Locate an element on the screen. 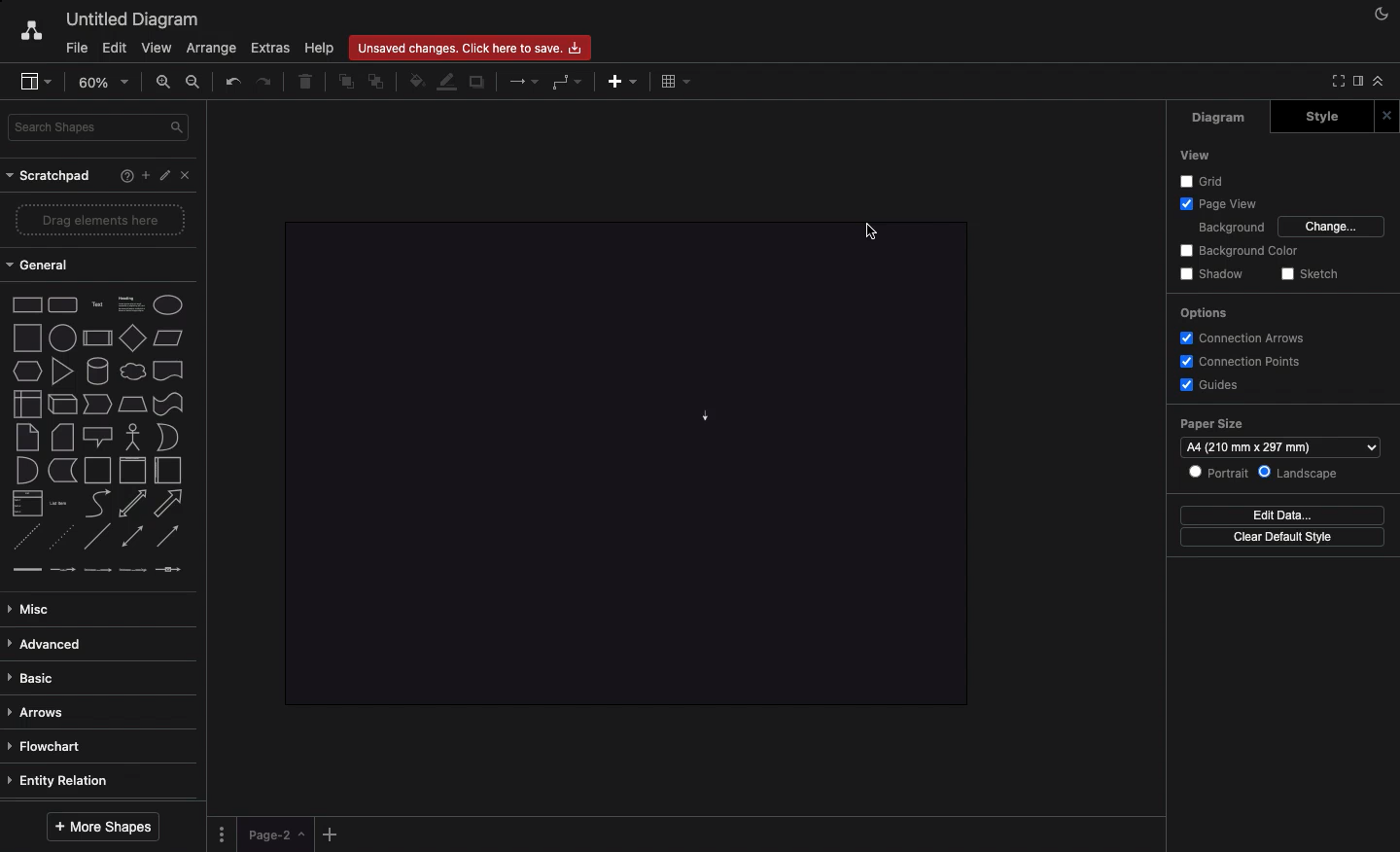 The width and height of the screenshot is (1400, 852). Collapse is located at coordinates (1379, 80).